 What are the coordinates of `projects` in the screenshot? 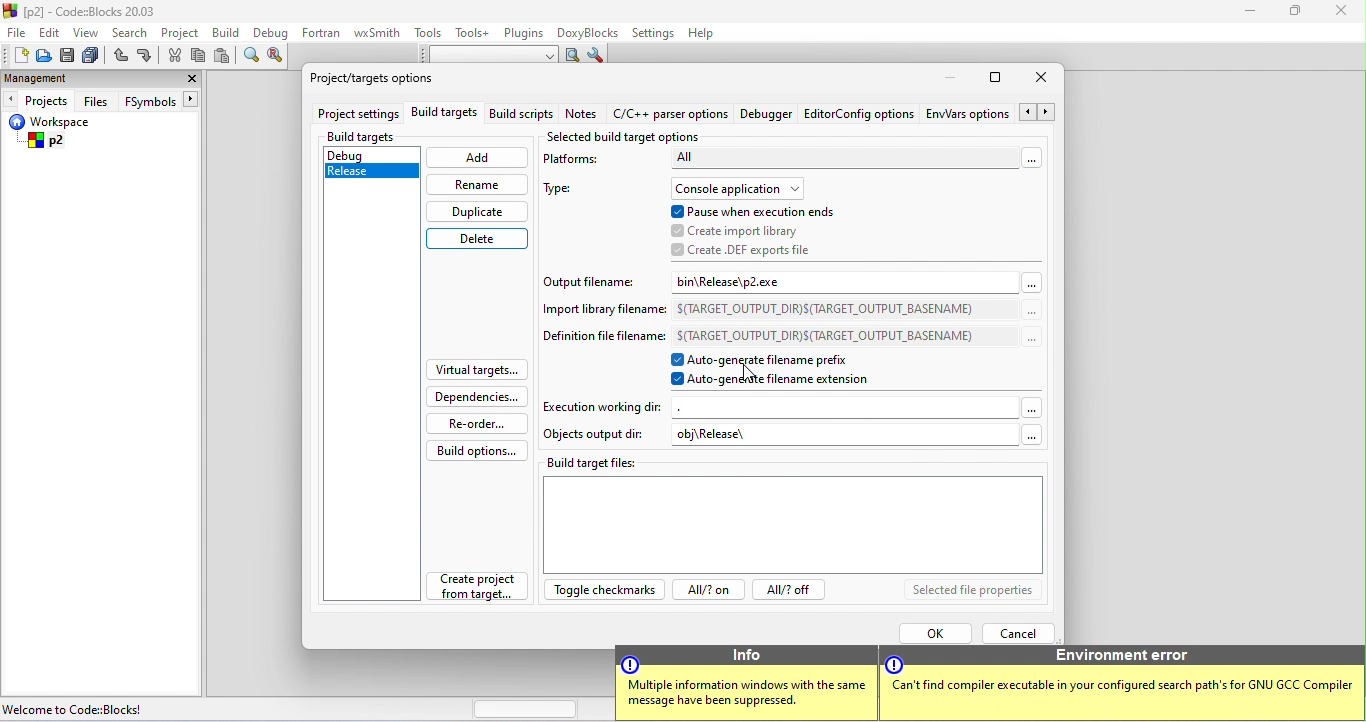 It's located at (39, 101).